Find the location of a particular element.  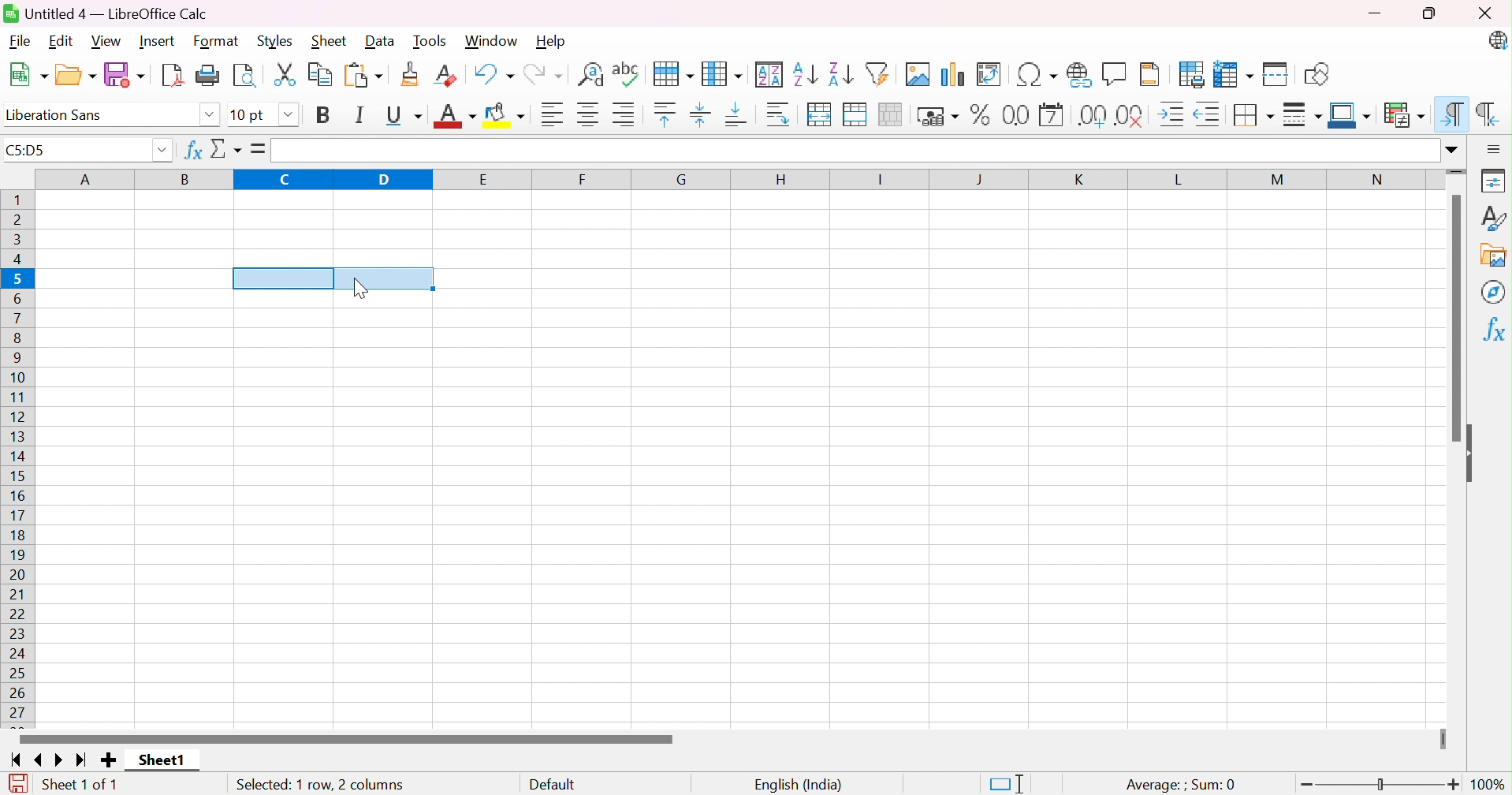

Clone Formatting is located at coordinates (412, 74).